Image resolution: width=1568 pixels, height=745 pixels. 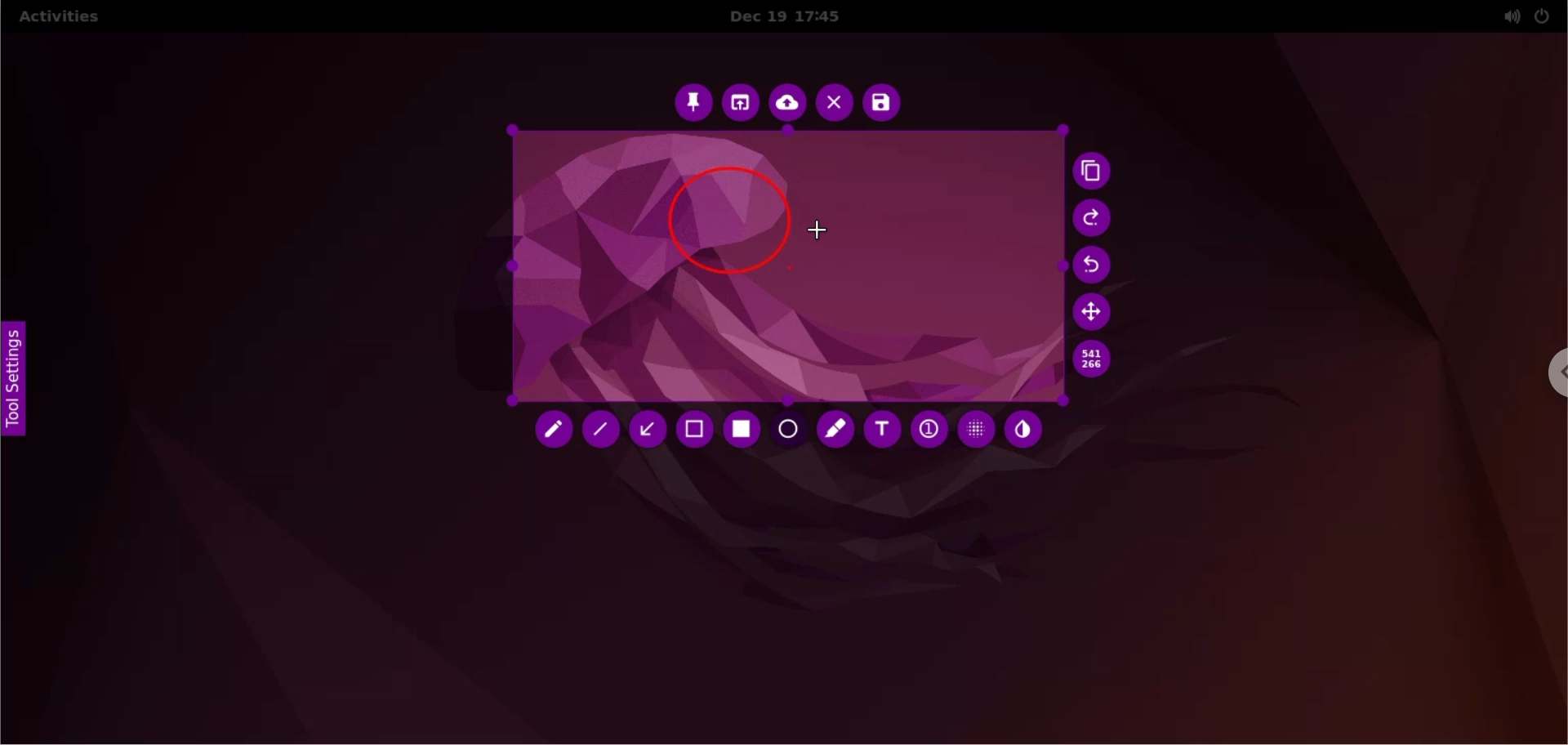 What do you see at coordinates (1023, 430) in the screenshot?
I see `inverter tool` at bounding box center [1023, 430].